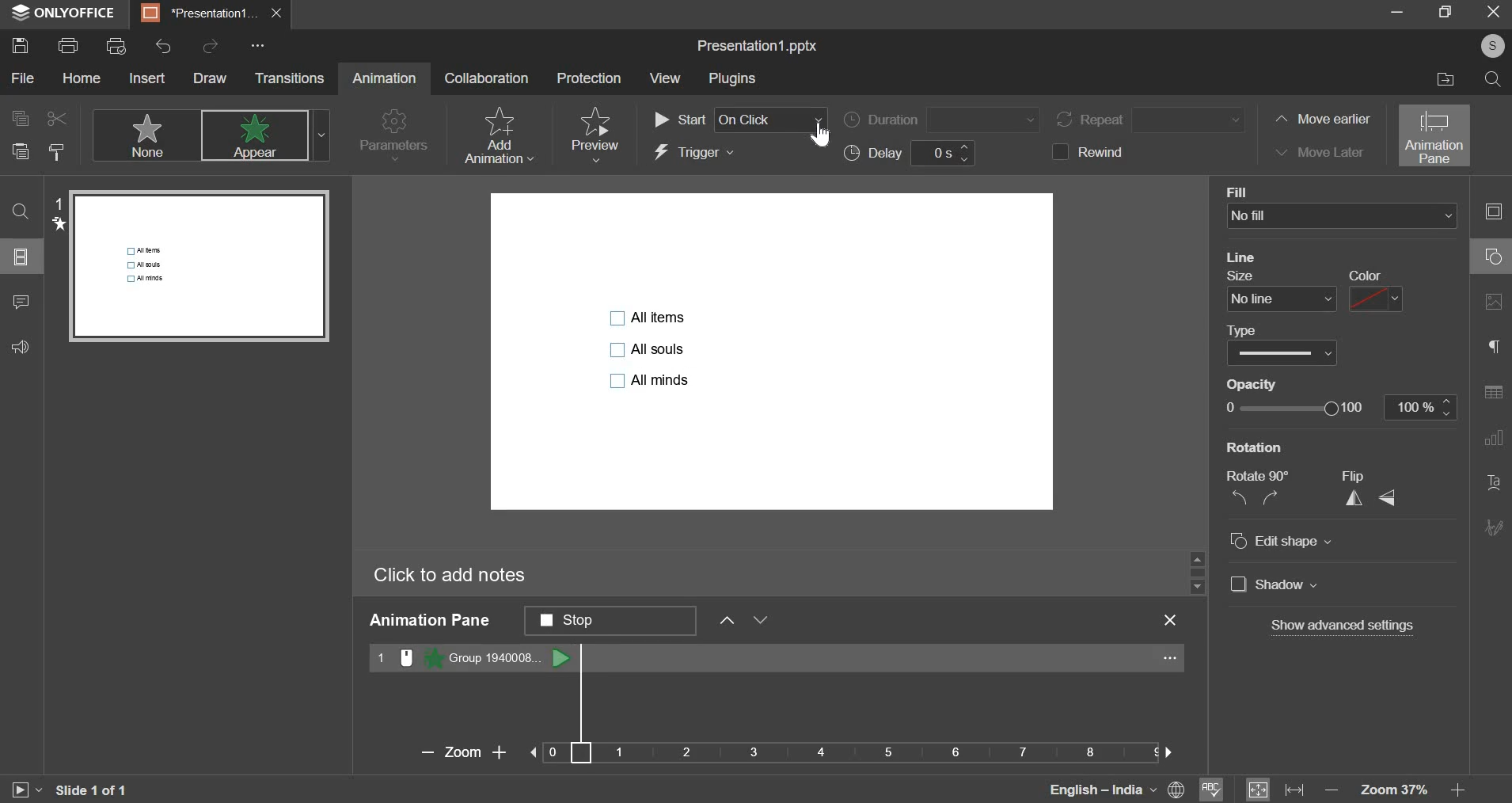 The width and height of the screenshot is (1512, 803). Describe the element at coordinates (1439, 79) in the screenshot. I see `file location` at that location.